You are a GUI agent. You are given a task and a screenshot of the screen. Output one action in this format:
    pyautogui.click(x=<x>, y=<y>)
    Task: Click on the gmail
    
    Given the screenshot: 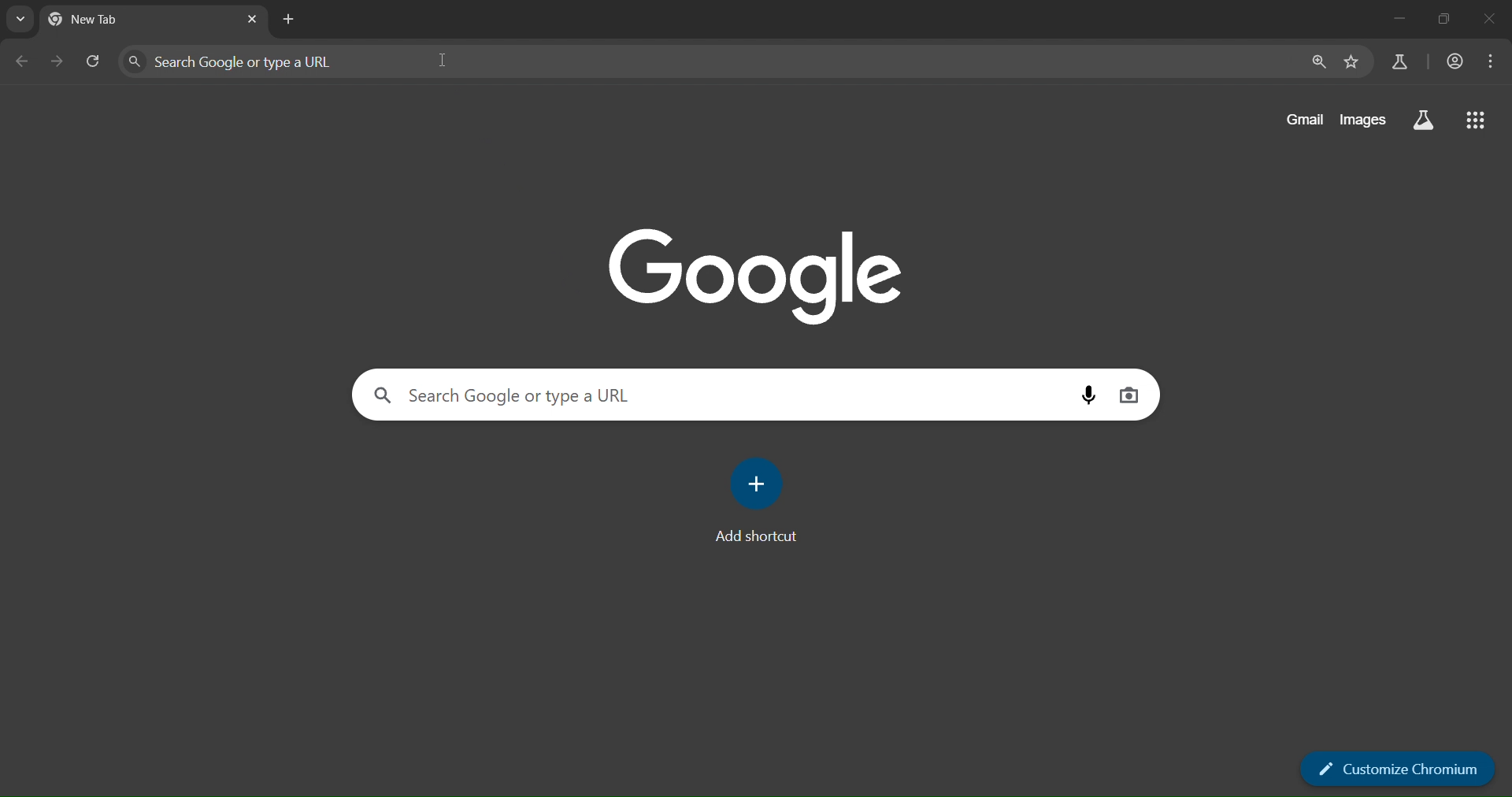 What is the action you would take?
    pyautogui.click(x=1298, y=120)
    